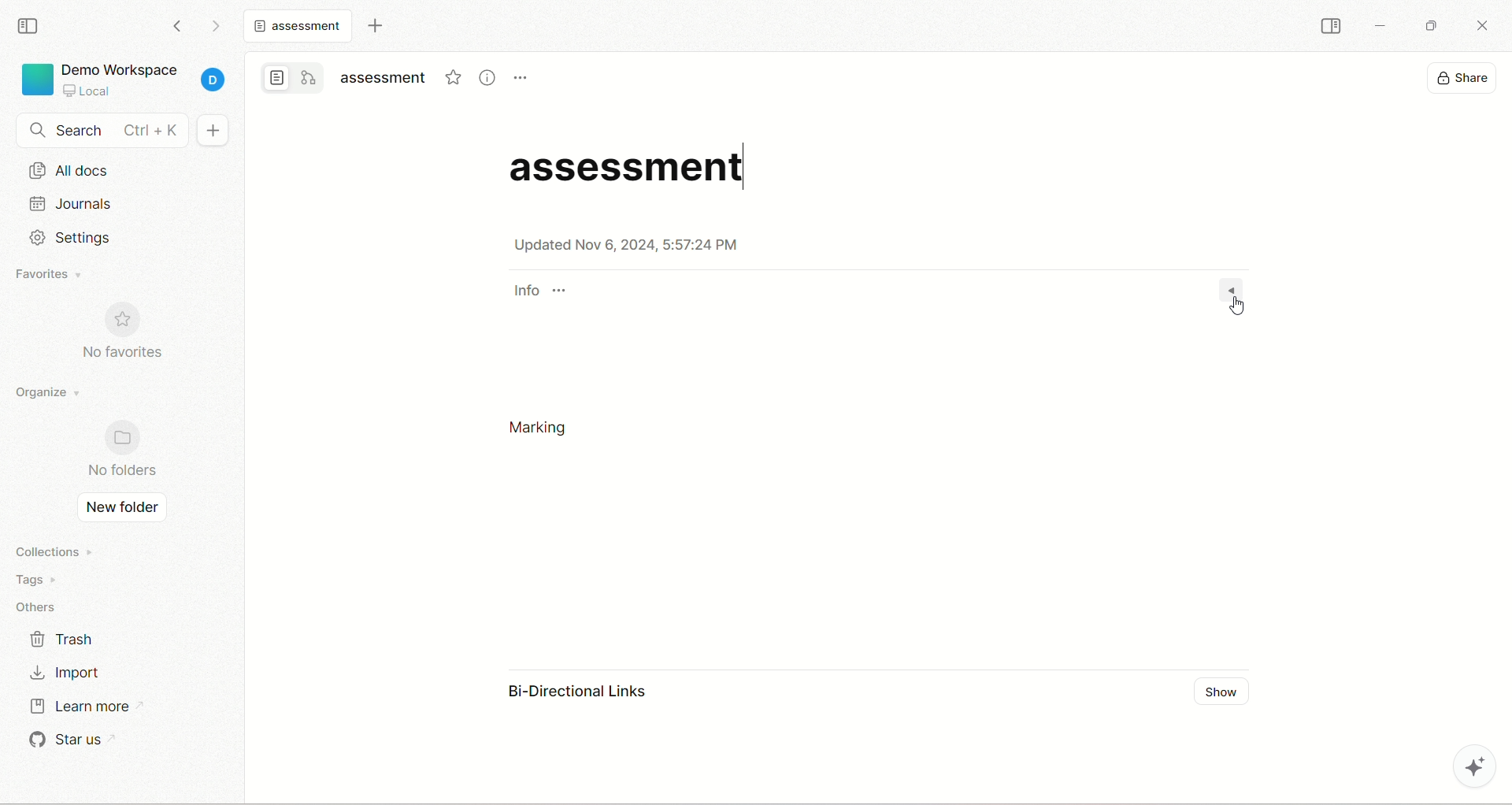  I want to click on AFFiNE AI, so click(1466, 768).